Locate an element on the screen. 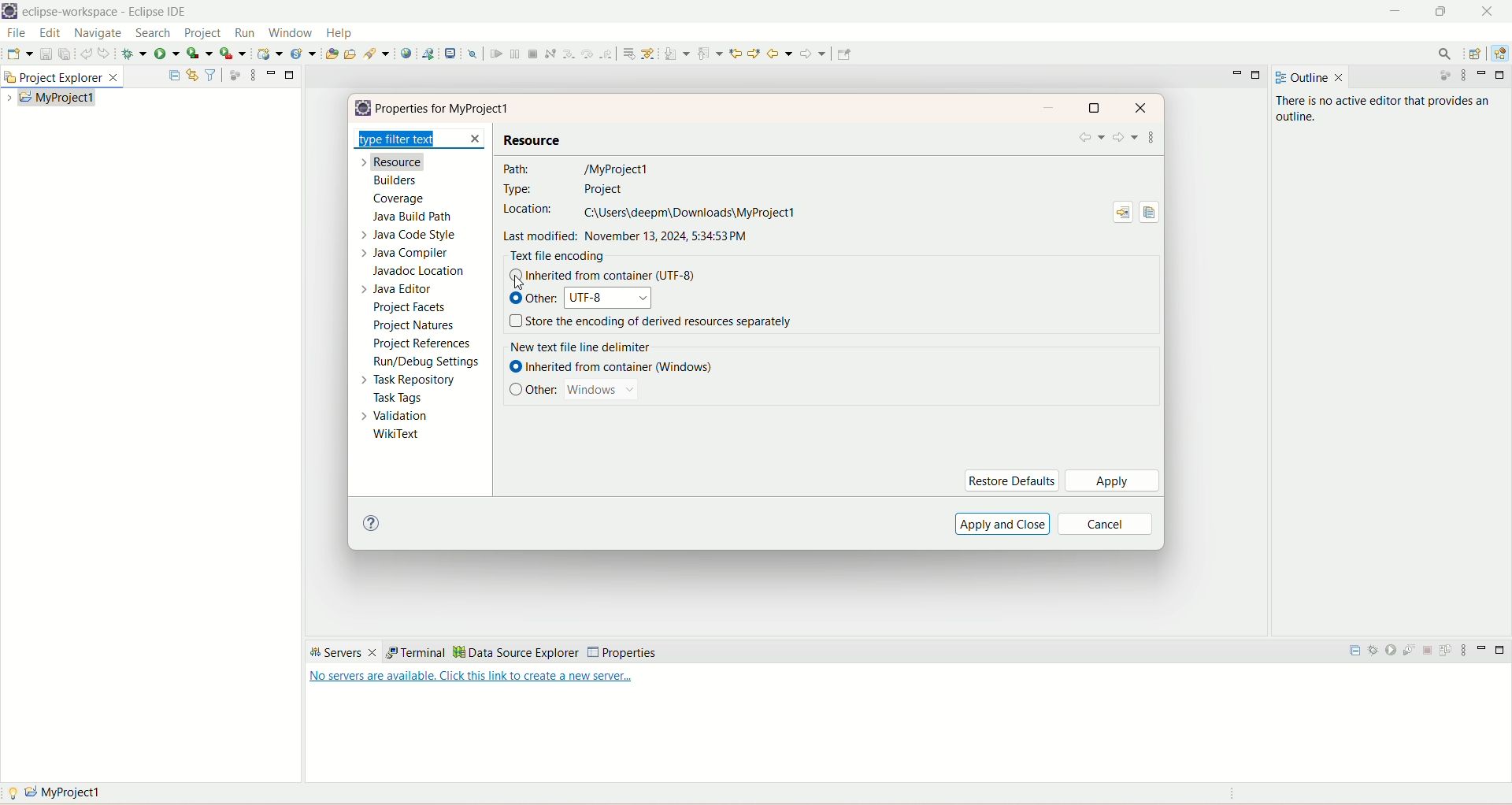  open type is located at coordinates (329, 54).